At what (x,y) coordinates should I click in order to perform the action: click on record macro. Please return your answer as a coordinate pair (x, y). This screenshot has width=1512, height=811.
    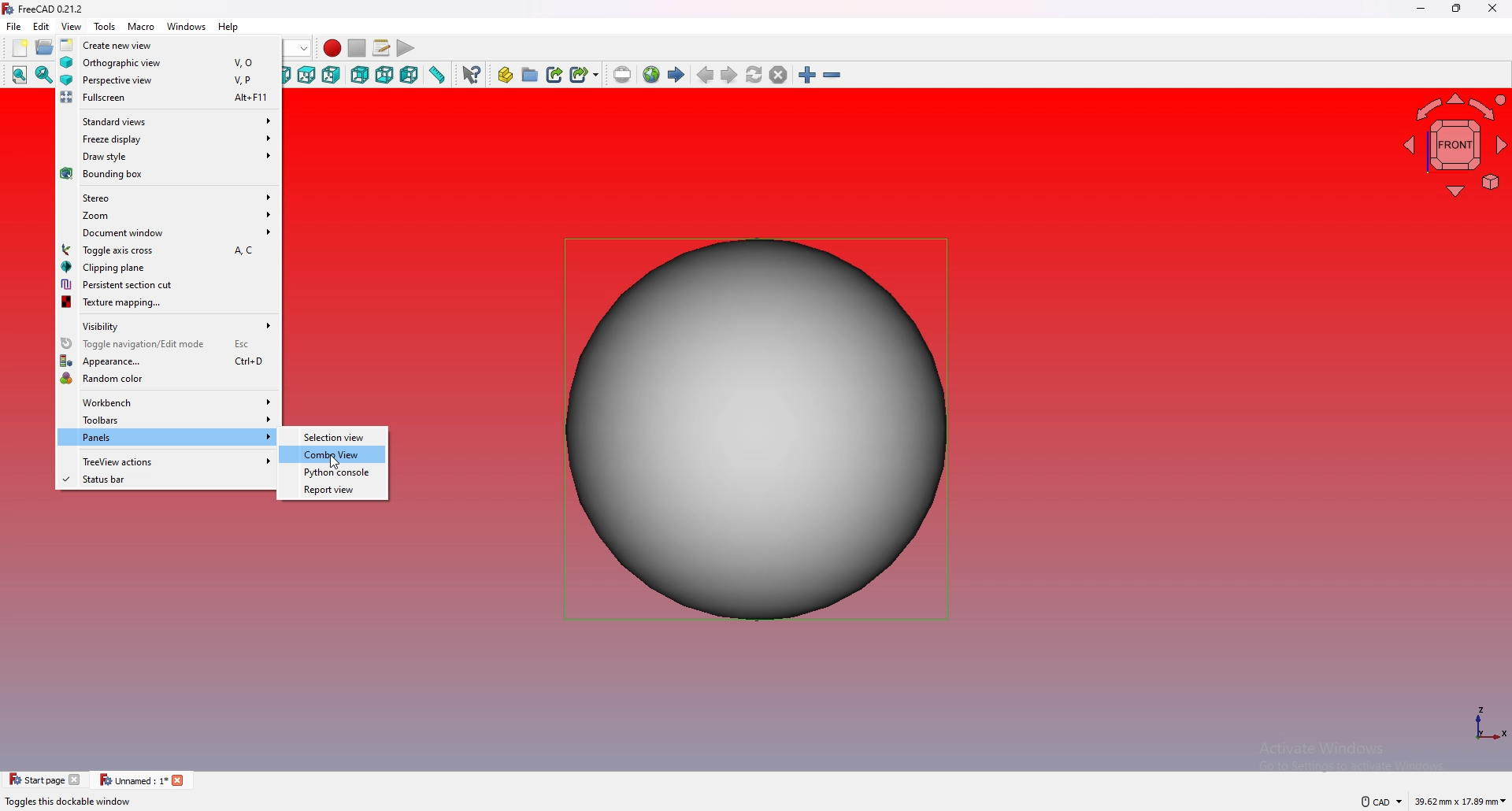
    Looking at the image, I should click on (332, 48).